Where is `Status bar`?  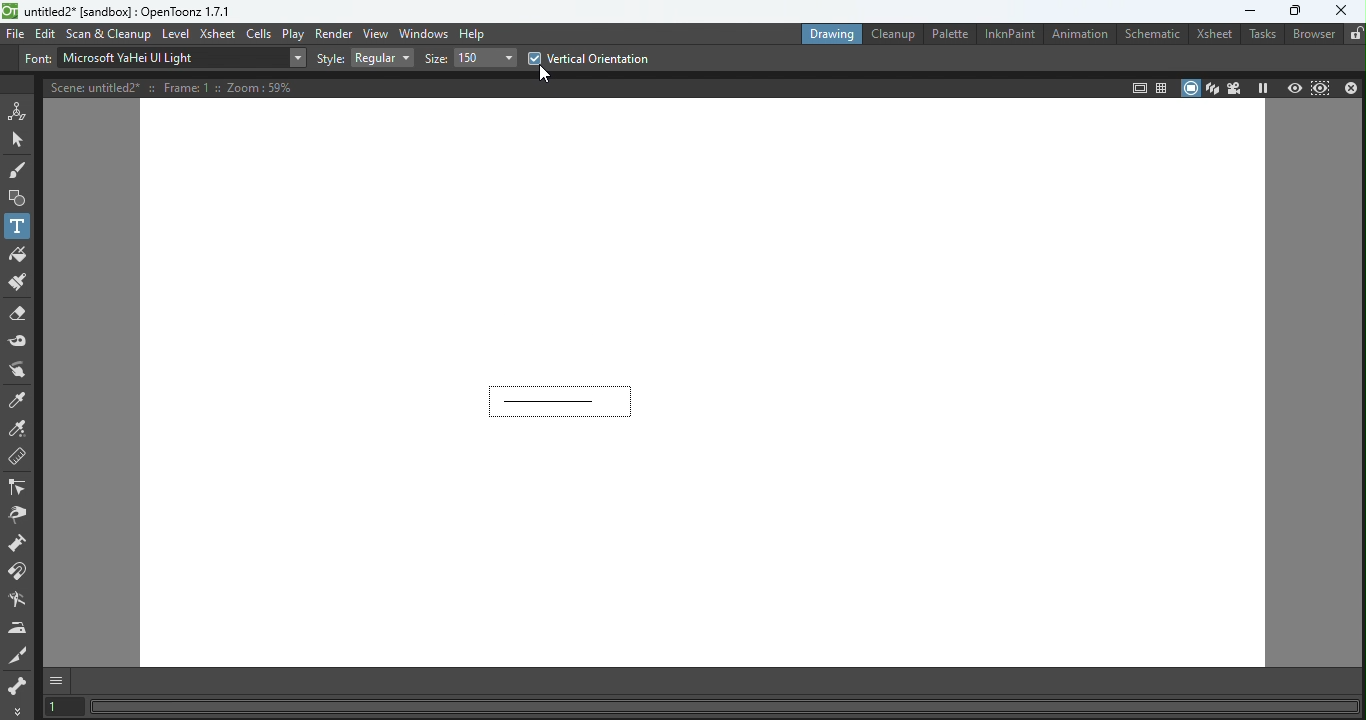
Status bar is located at coordinates (726, 705).